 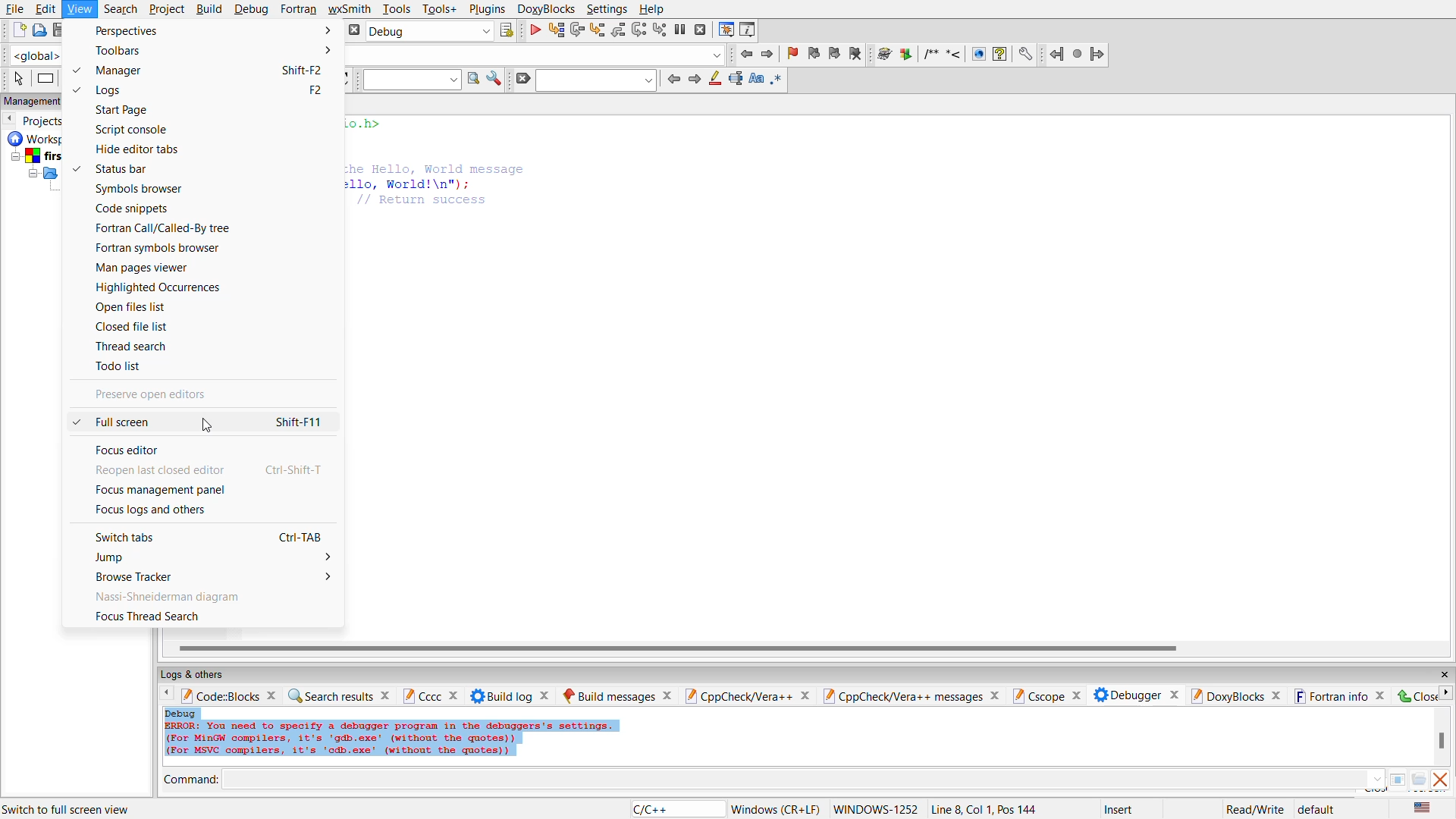 I want to click on file location, so click(x=99, y=809).